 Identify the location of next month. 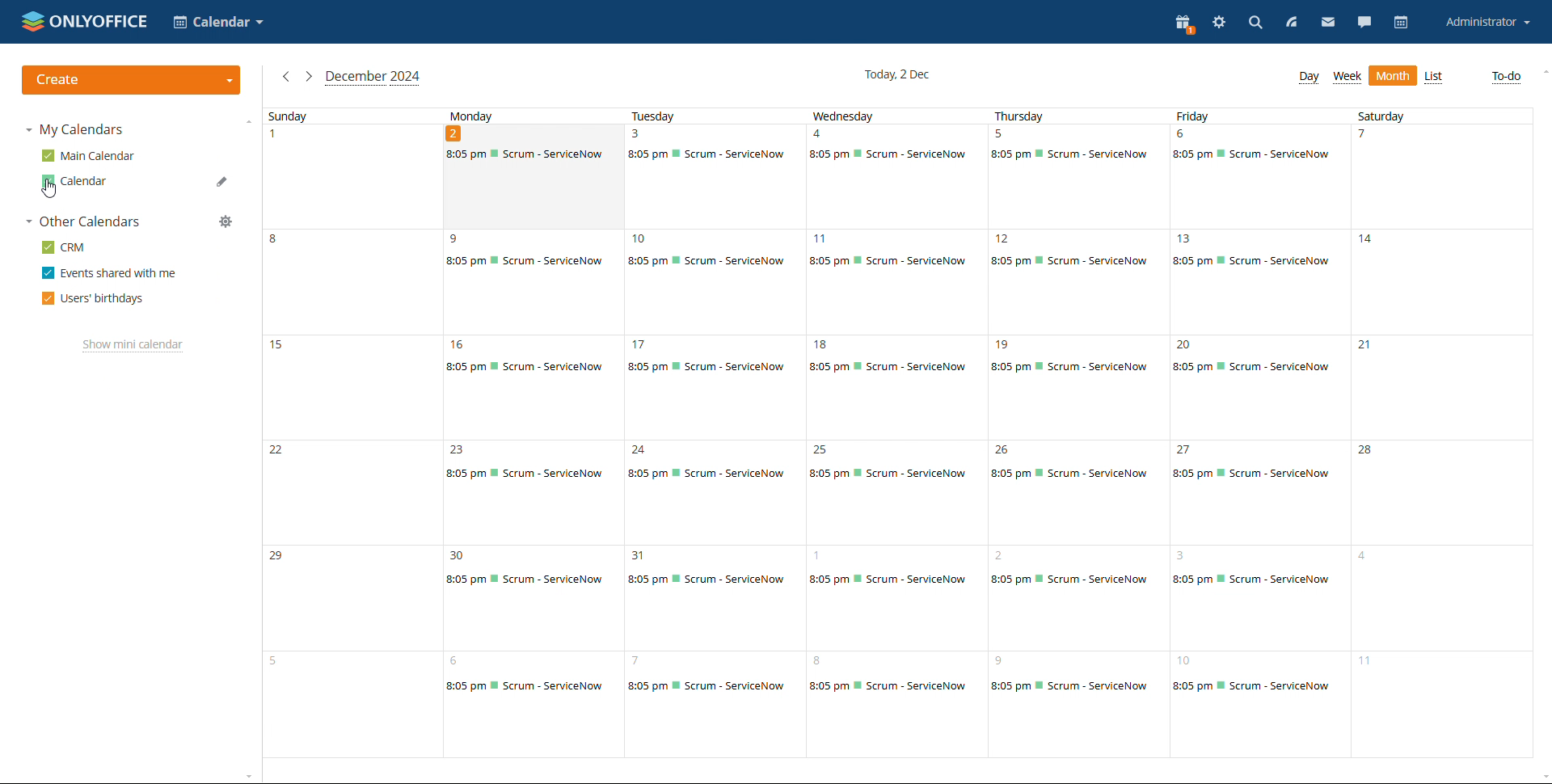
(308, 76).